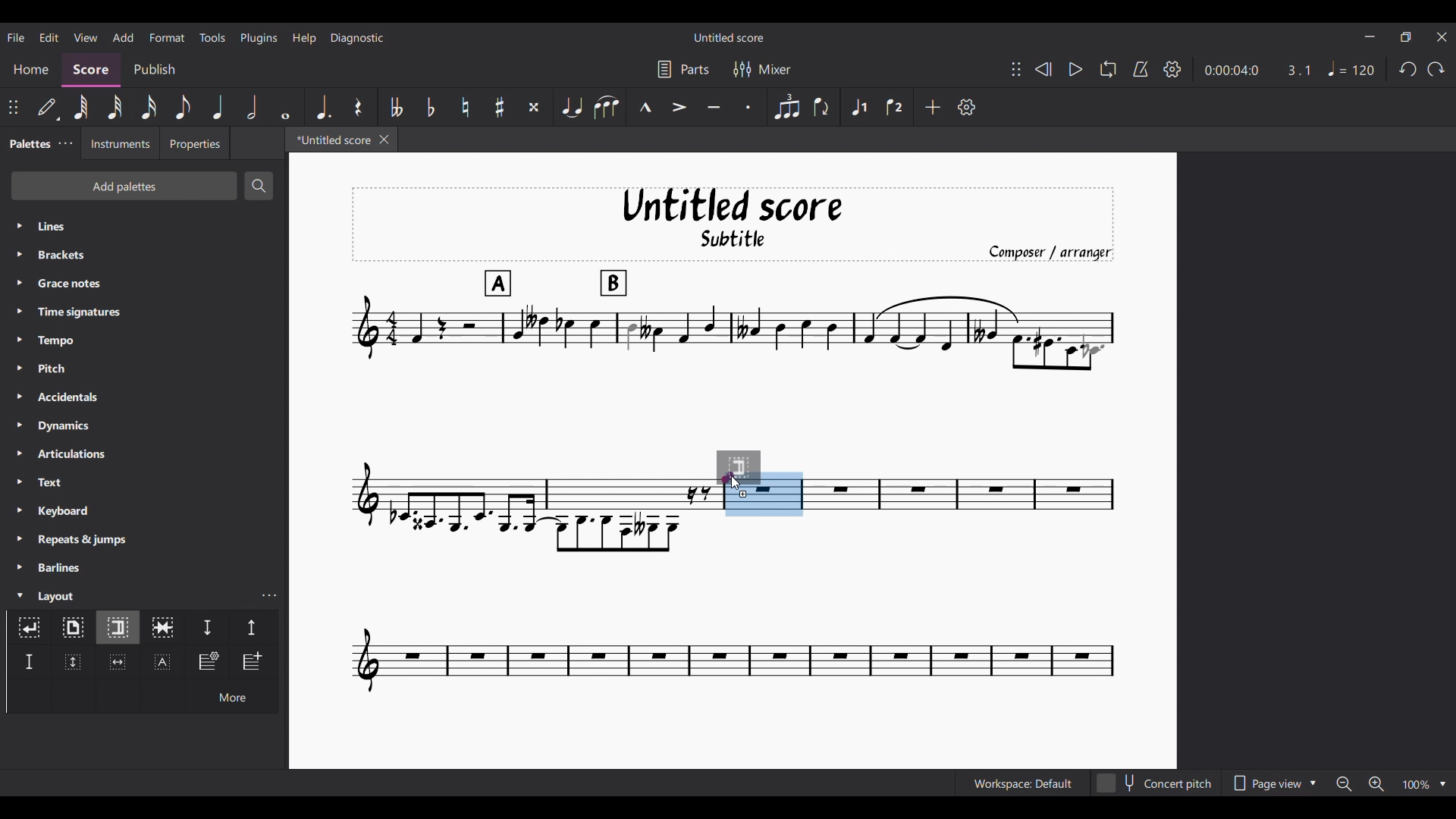 Image resolution: width=1456 pixels, height=819 pixels. Describe the element at coordinates (143, 255) in the screenshot. I see `Brackets` at that location.